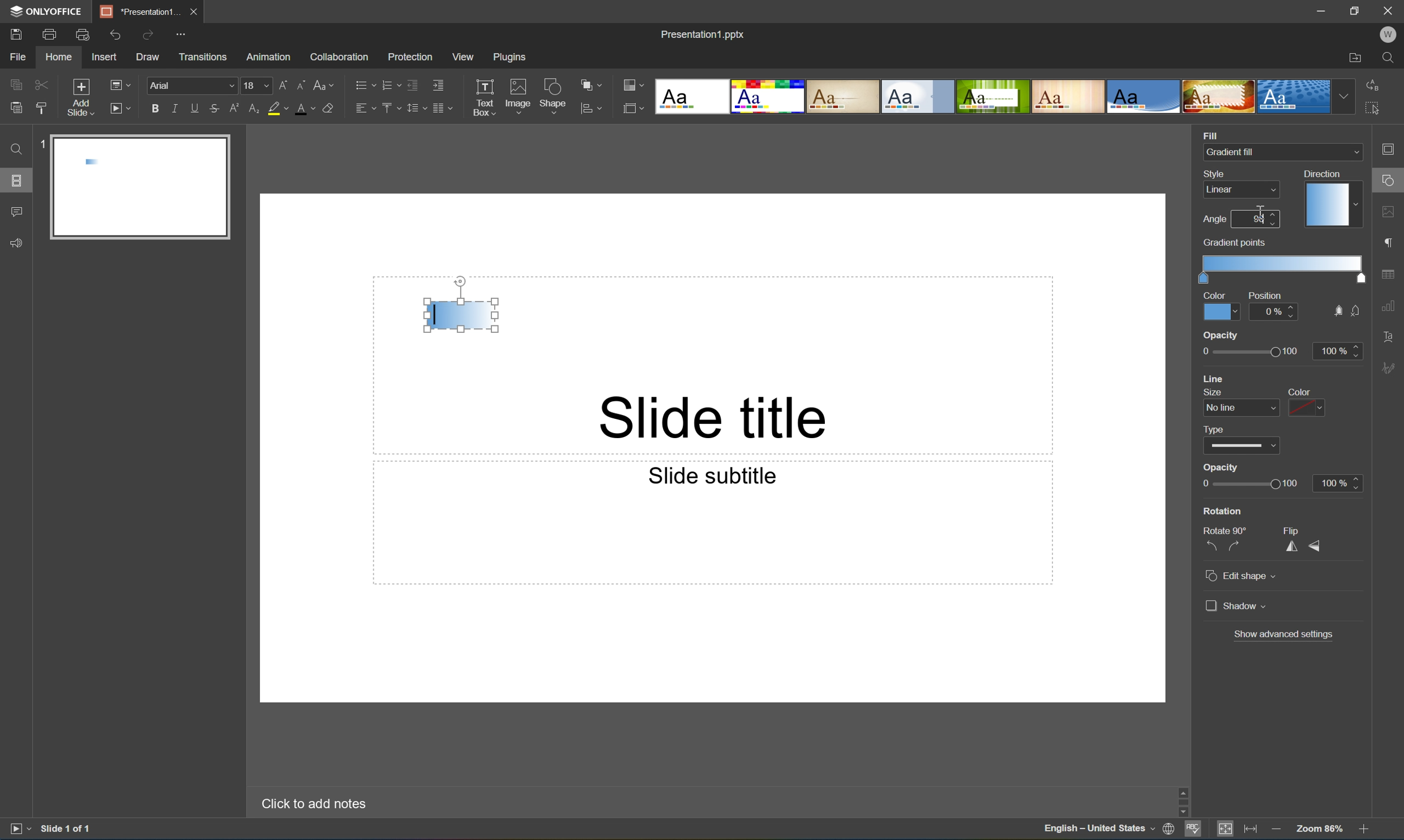 Image resolution: width=1404 pixels, height=840 pixels. Describe the element at coordinates (119, 107) in the screenshot. I see `Start slideshow` at that location.